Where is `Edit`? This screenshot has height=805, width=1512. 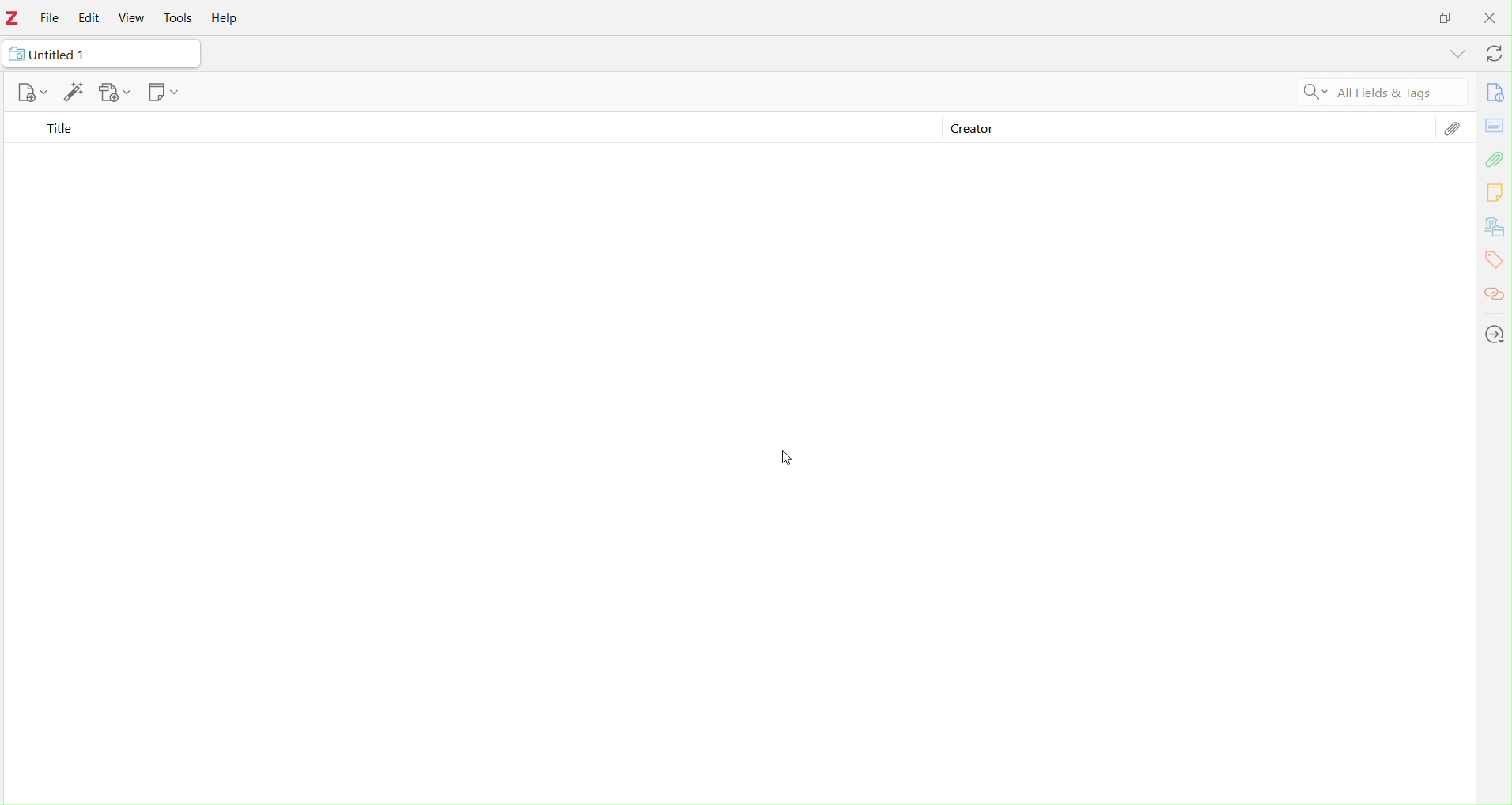
Edit is located at coordinates (92, 19).